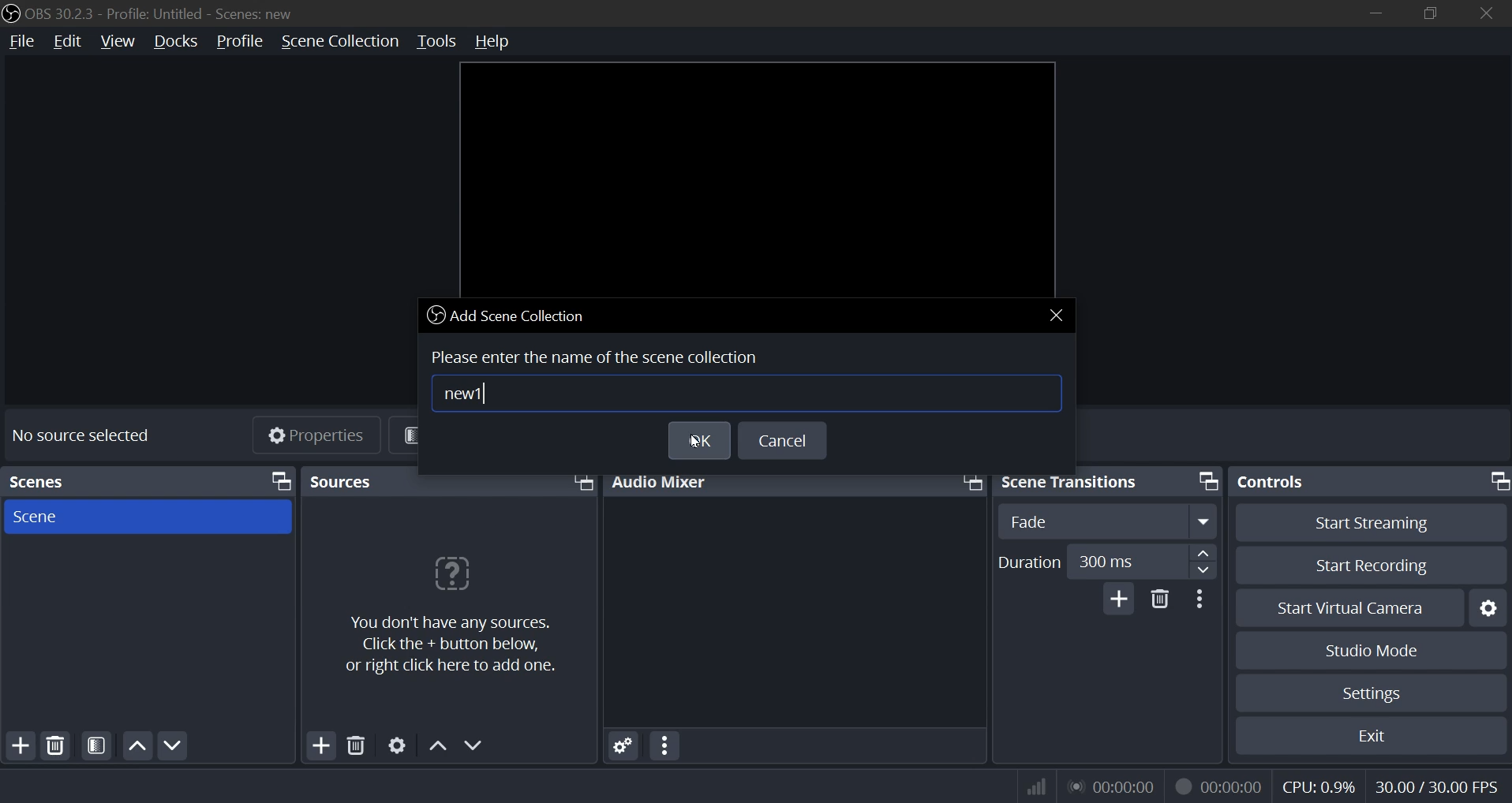 Image resolution: width=1512 pixels, height=803 pixels. Describe the element at coordinates (23, 744) in the screenshot. I see `add` at that location.